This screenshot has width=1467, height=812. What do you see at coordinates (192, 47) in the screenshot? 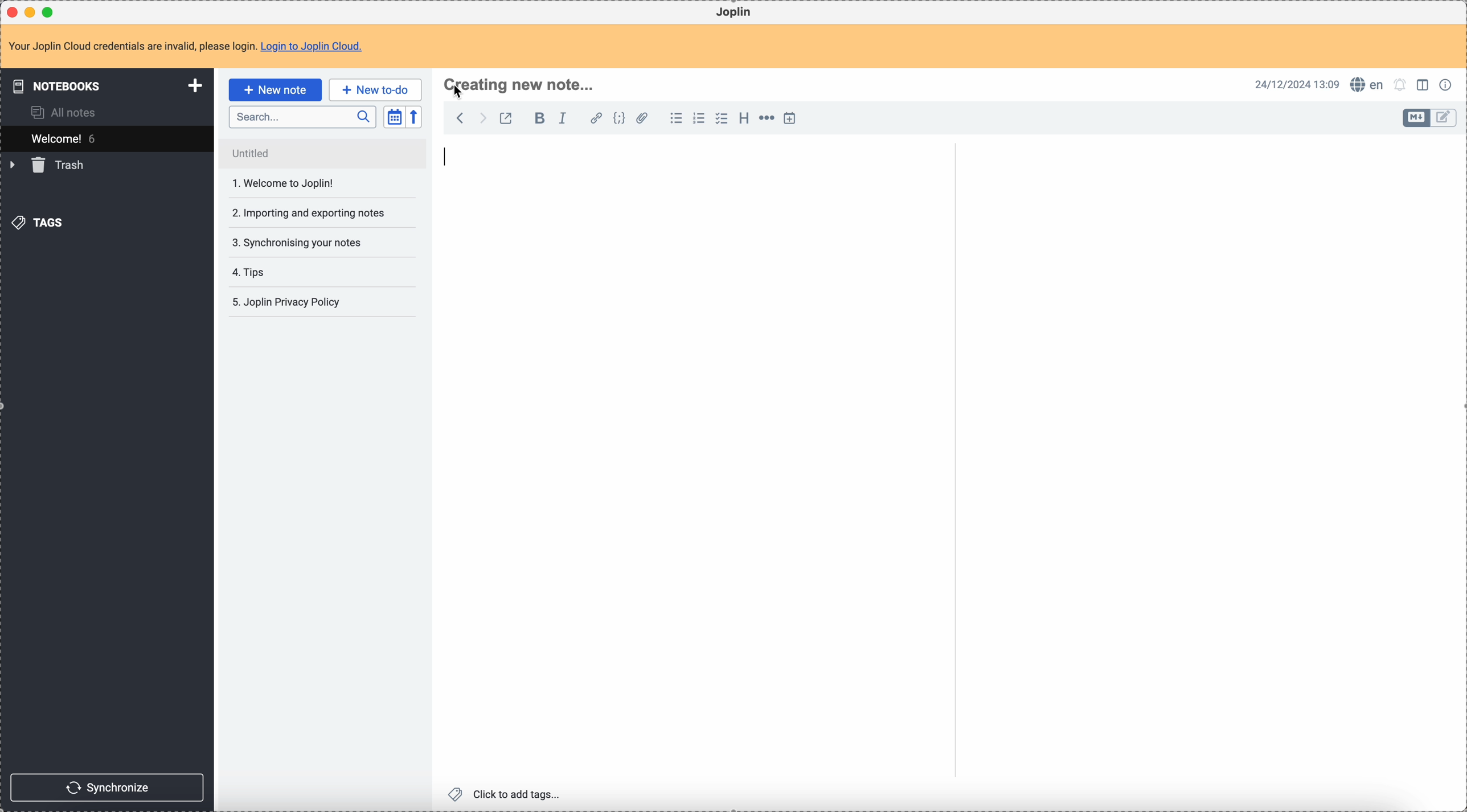
I see `note` at bounding box center [192, 47].